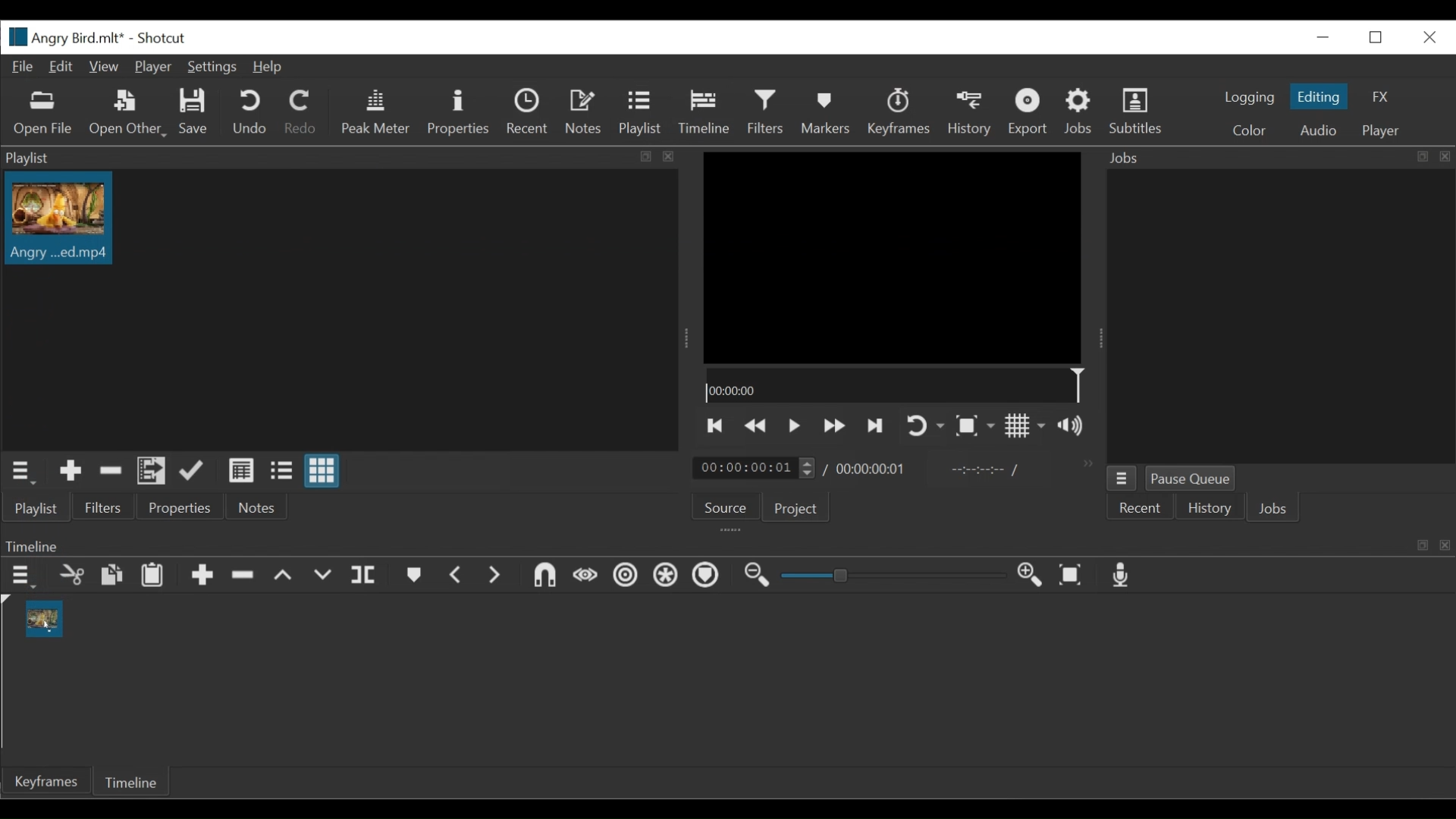 This screenshot has width=1456, height=819. What do you see at coordinates (152, 576) in the screenshot?
I see `Paste` at bounding box center [152, 576].